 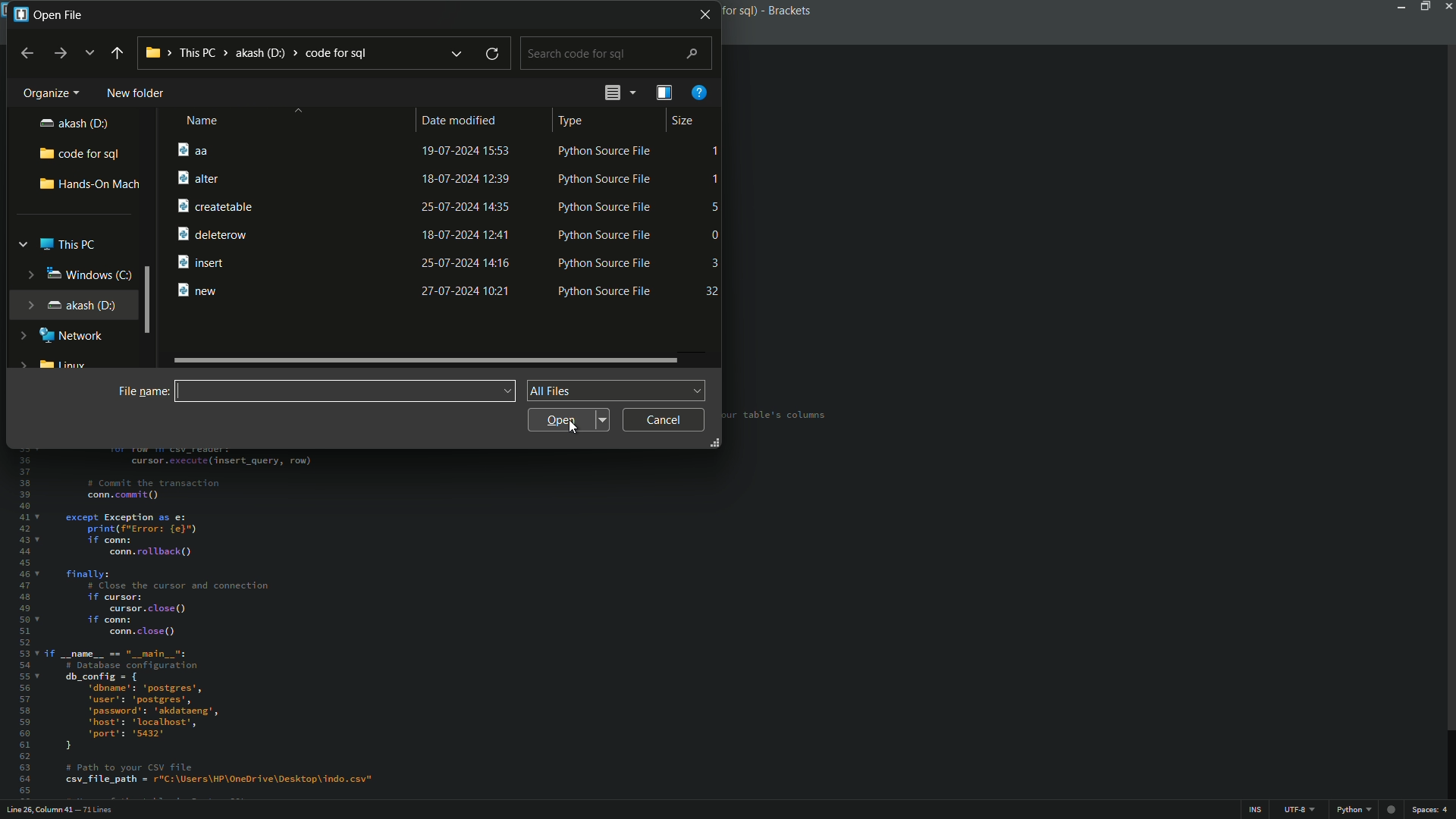 What do you see at coordinates (204, 261) in the screenshot?
I see `insert` at bounding box center [204, 261].